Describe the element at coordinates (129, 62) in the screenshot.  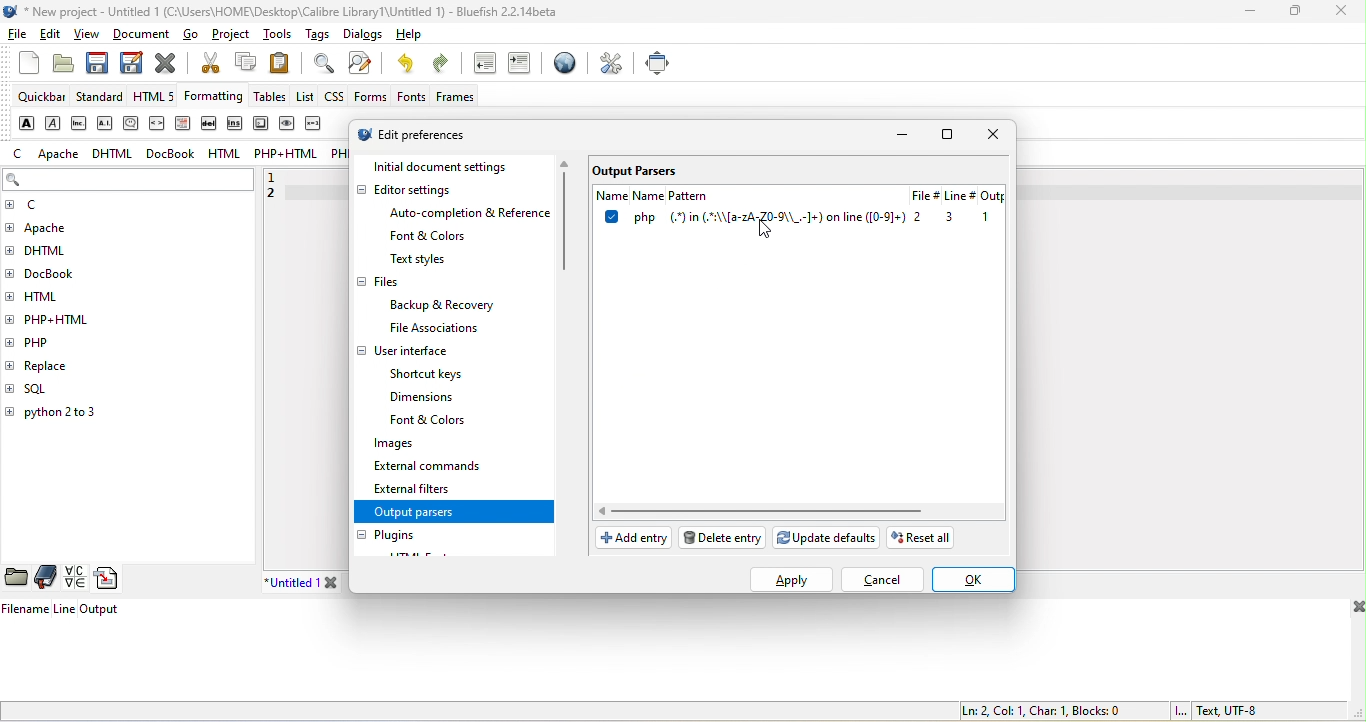
I see `save as` at that location.